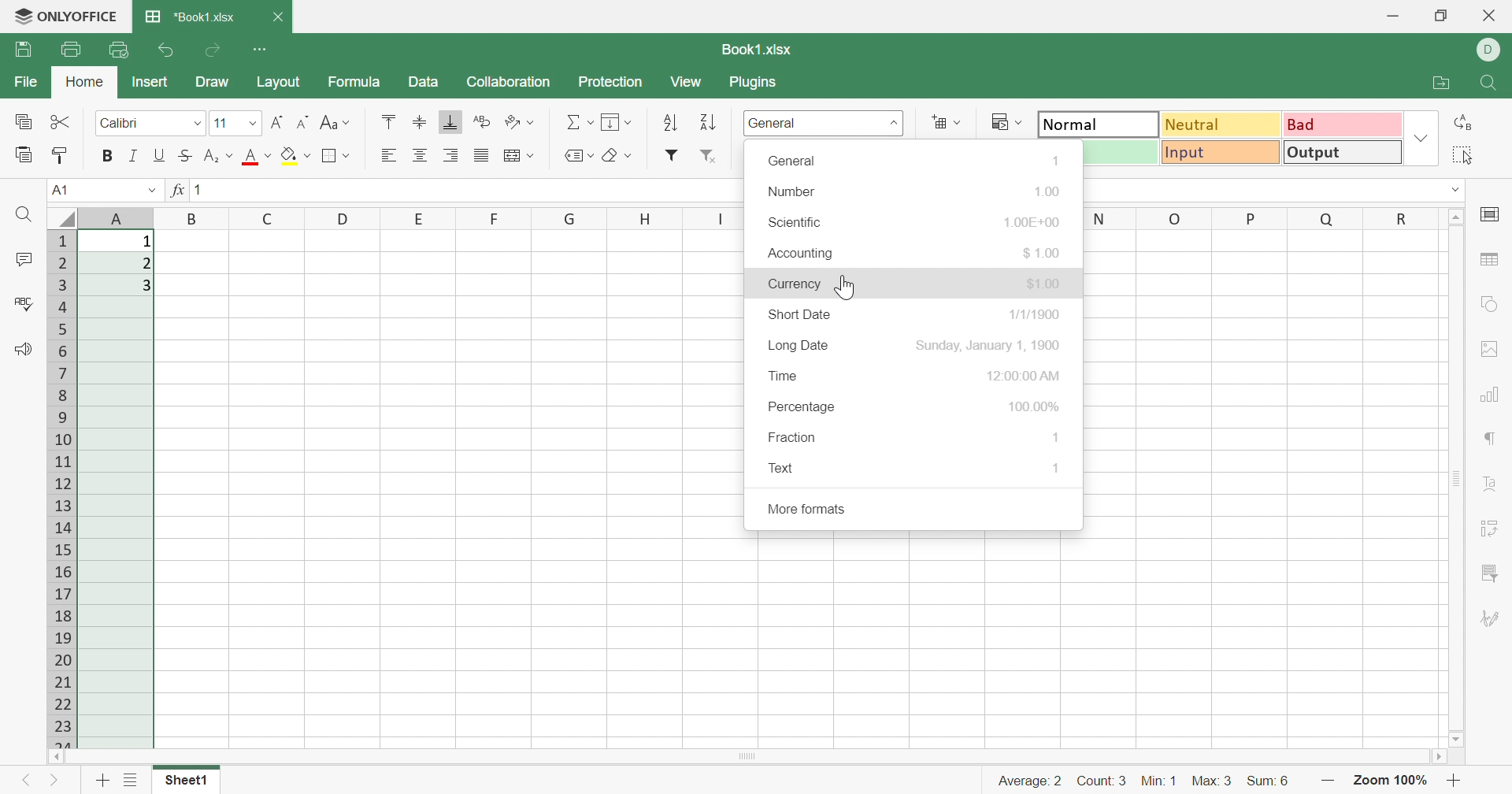 The height and width of the screenshot is (794, 1512). I want to click on Input, so click(1221, 152).